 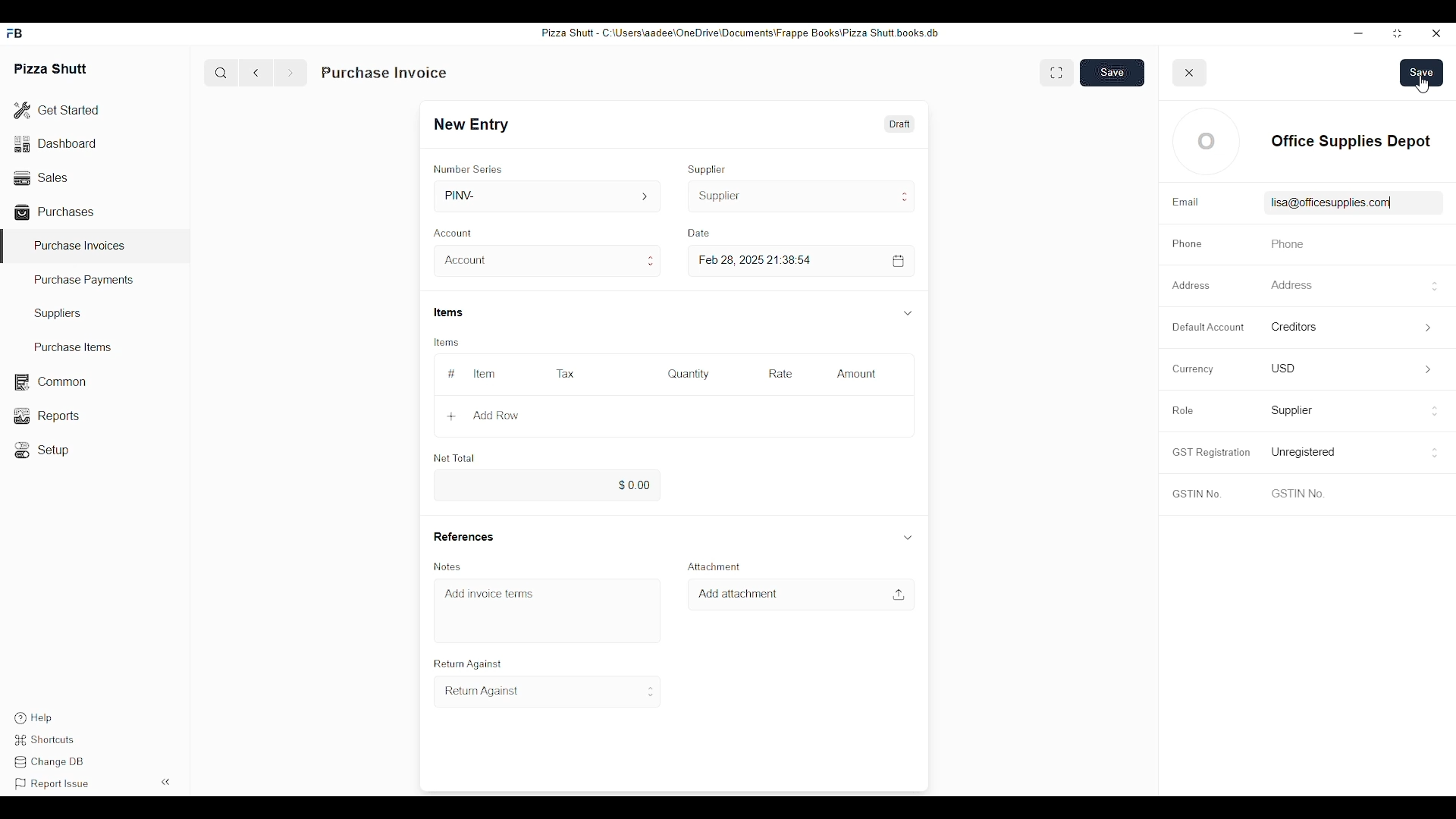 I want to click on Report issue, so click(x=52, y=784).